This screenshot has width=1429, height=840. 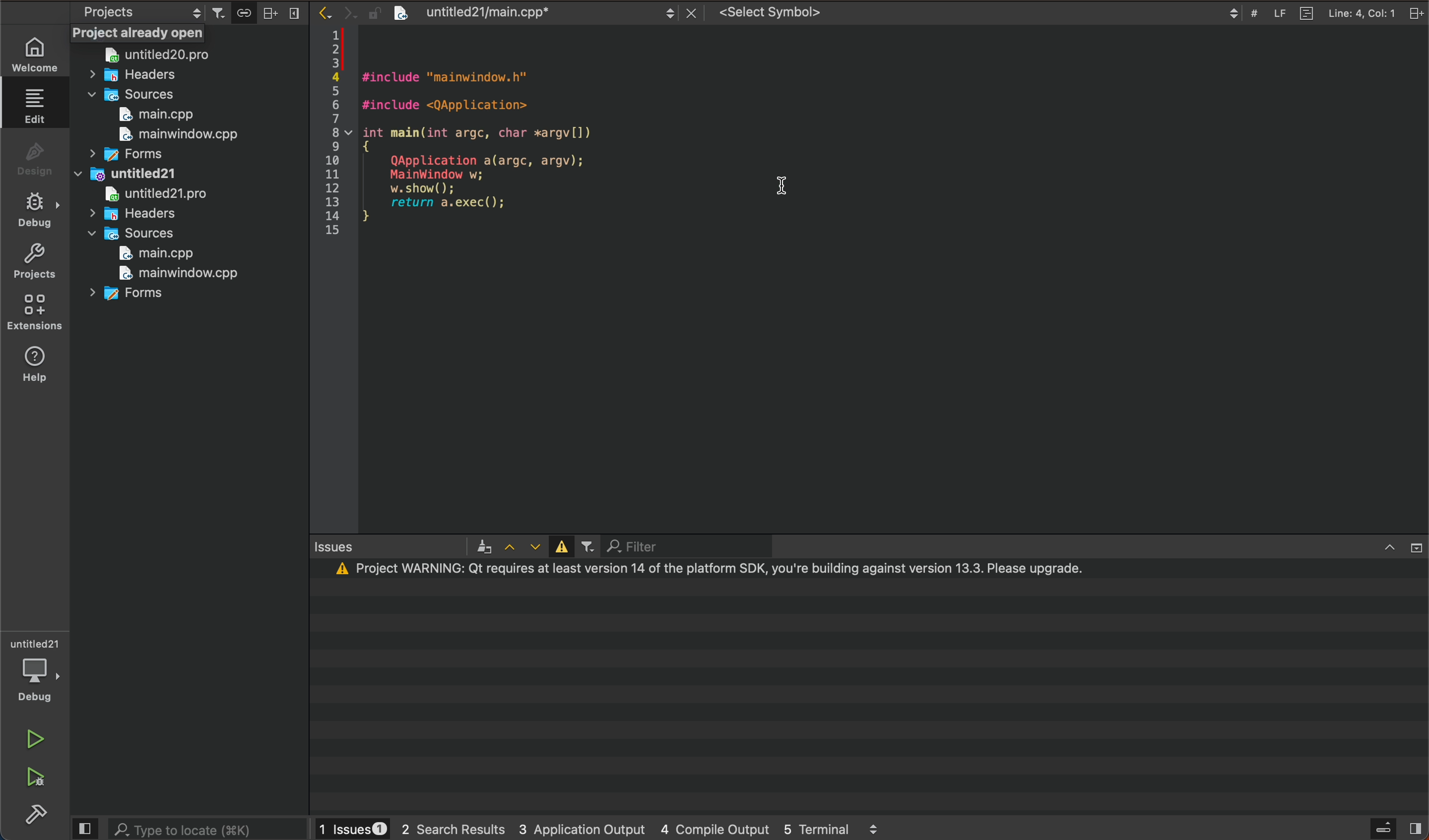 What do you see at coordinates (34, 686) in the screenshot?
I see `debug` at bounding box center [34, 686].